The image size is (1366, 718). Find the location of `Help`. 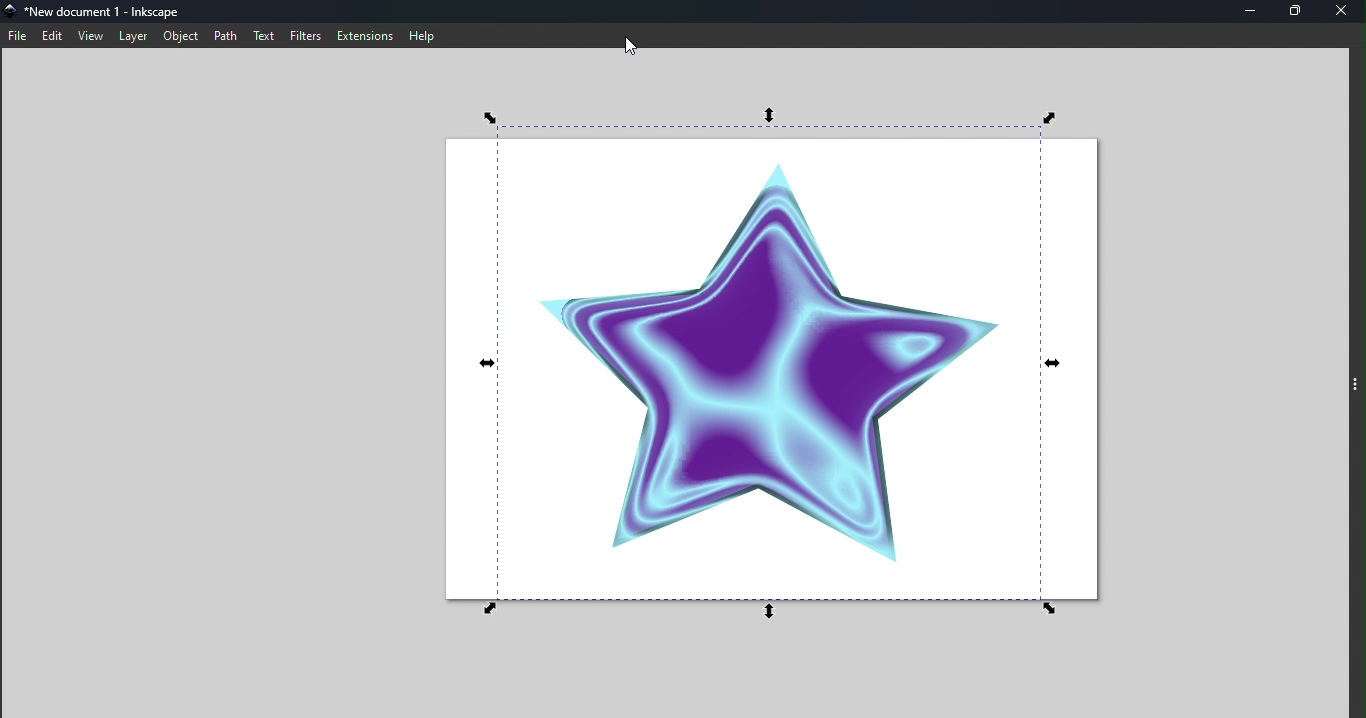

Help is located at coordinates (425, 35).